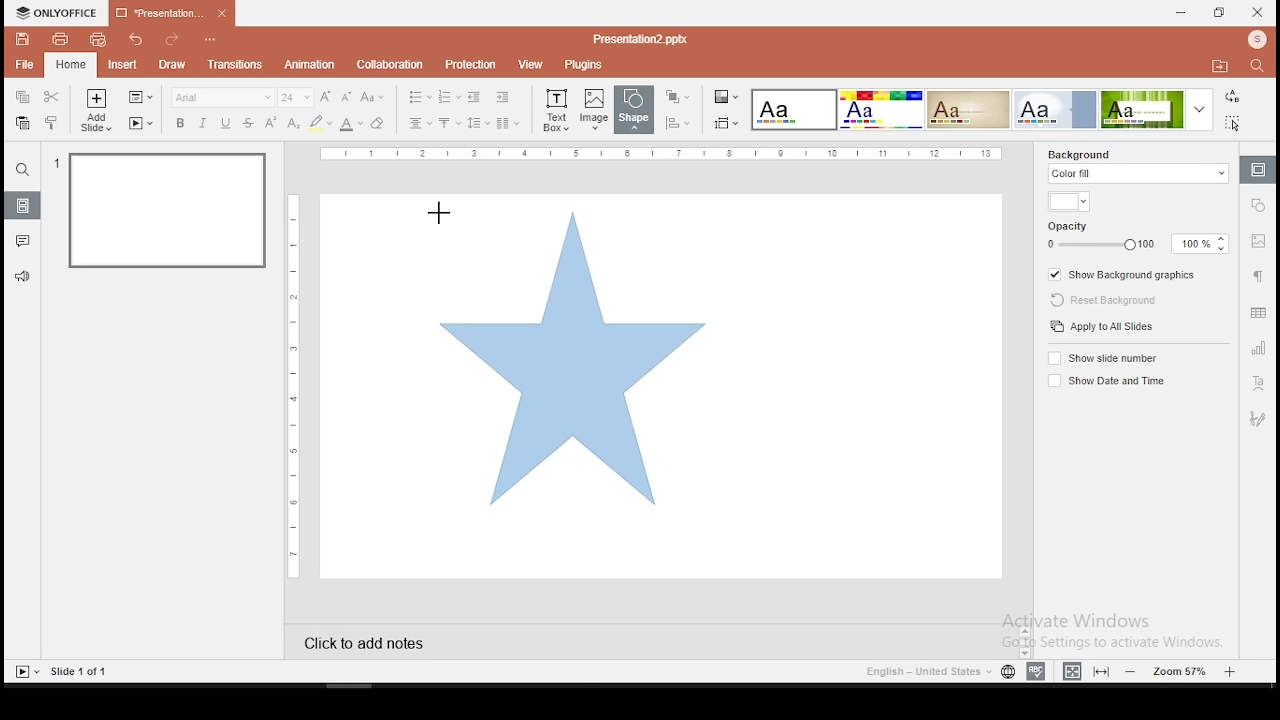 This screenshot has height=720, width=1280. I want to click on insert, so click(121, 63).